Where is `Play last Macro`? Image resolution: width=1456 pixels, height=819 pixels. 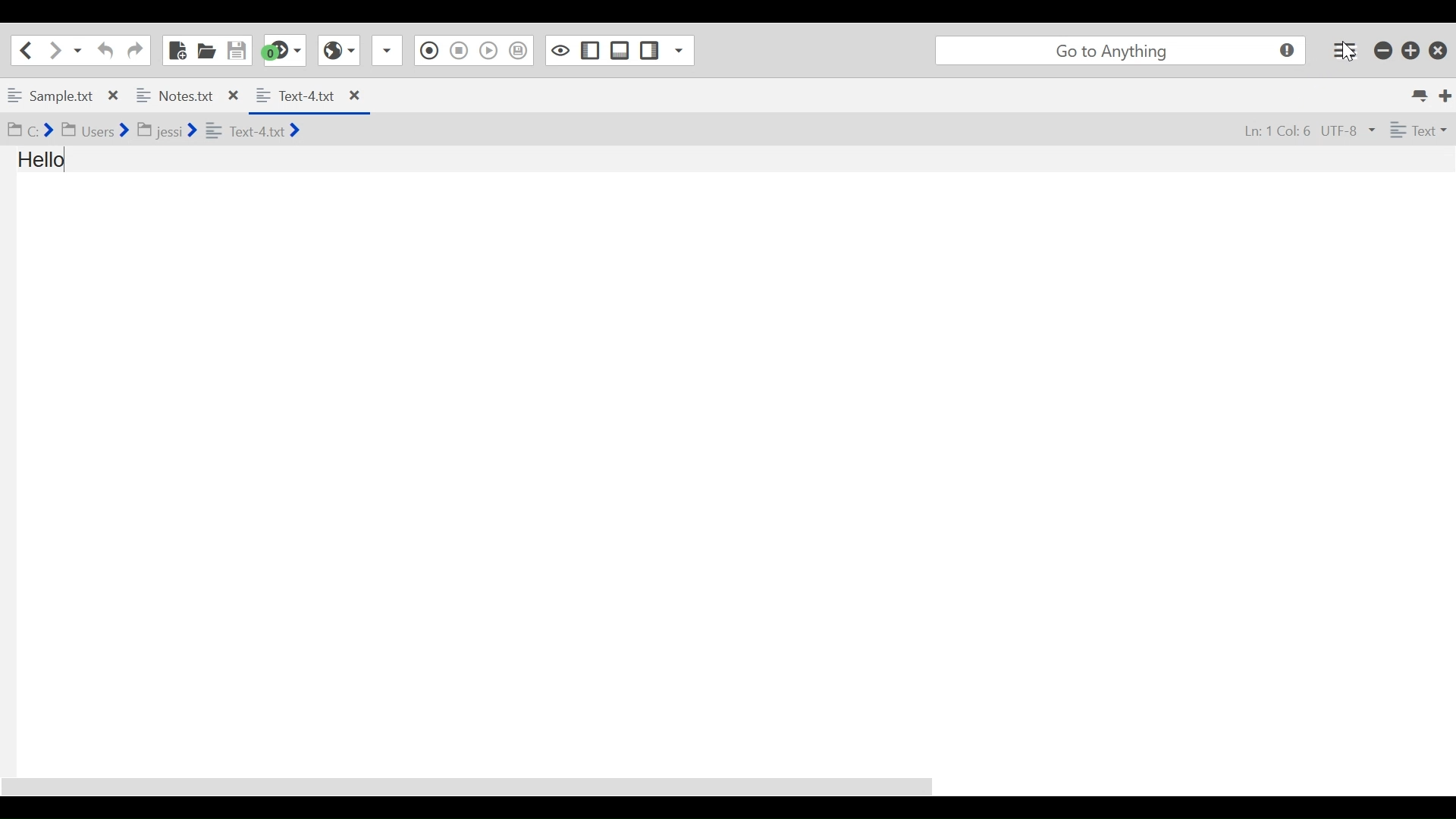
Play last Macro is located at coordinates (489, 51).